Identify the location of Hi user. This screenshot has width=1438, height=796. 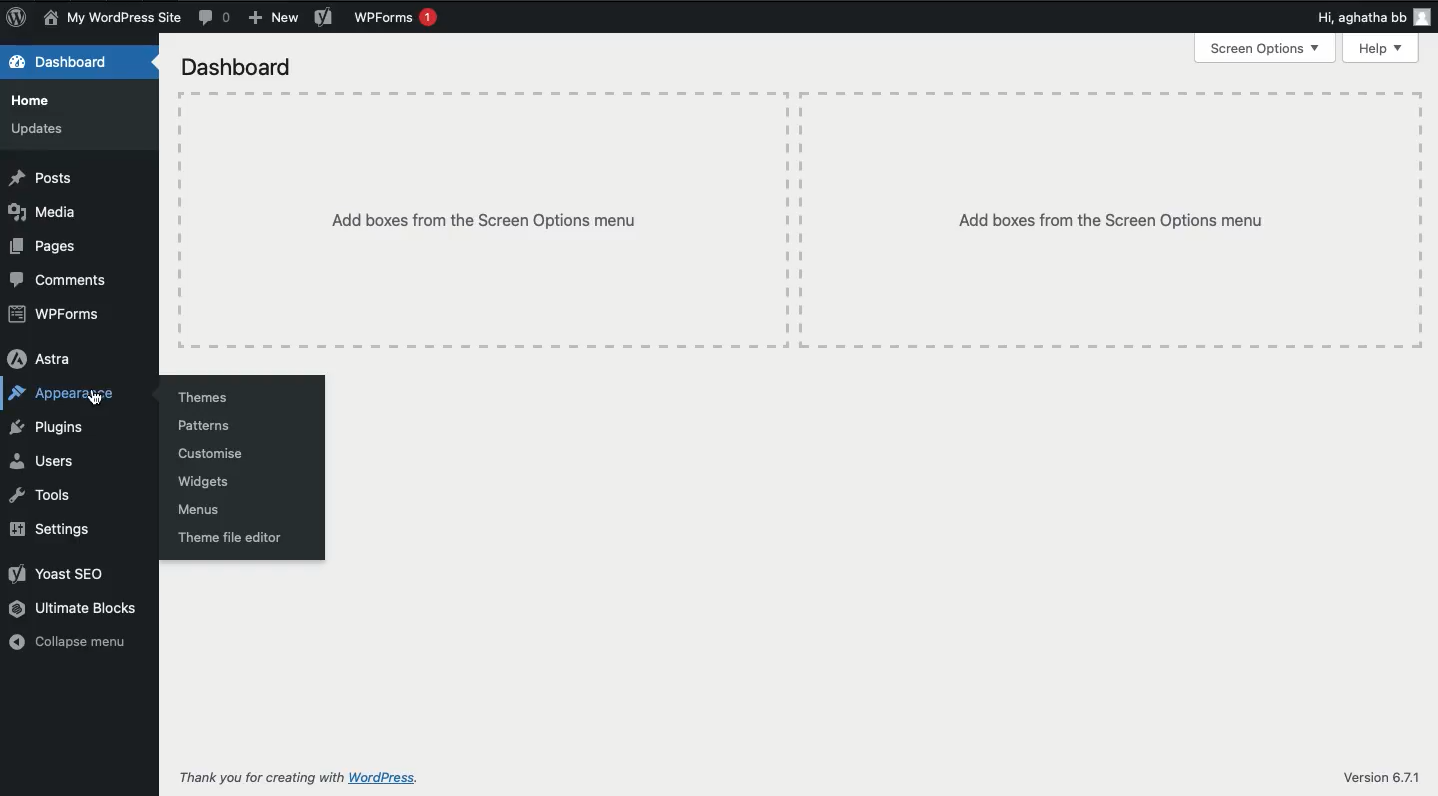
(1375, 16).